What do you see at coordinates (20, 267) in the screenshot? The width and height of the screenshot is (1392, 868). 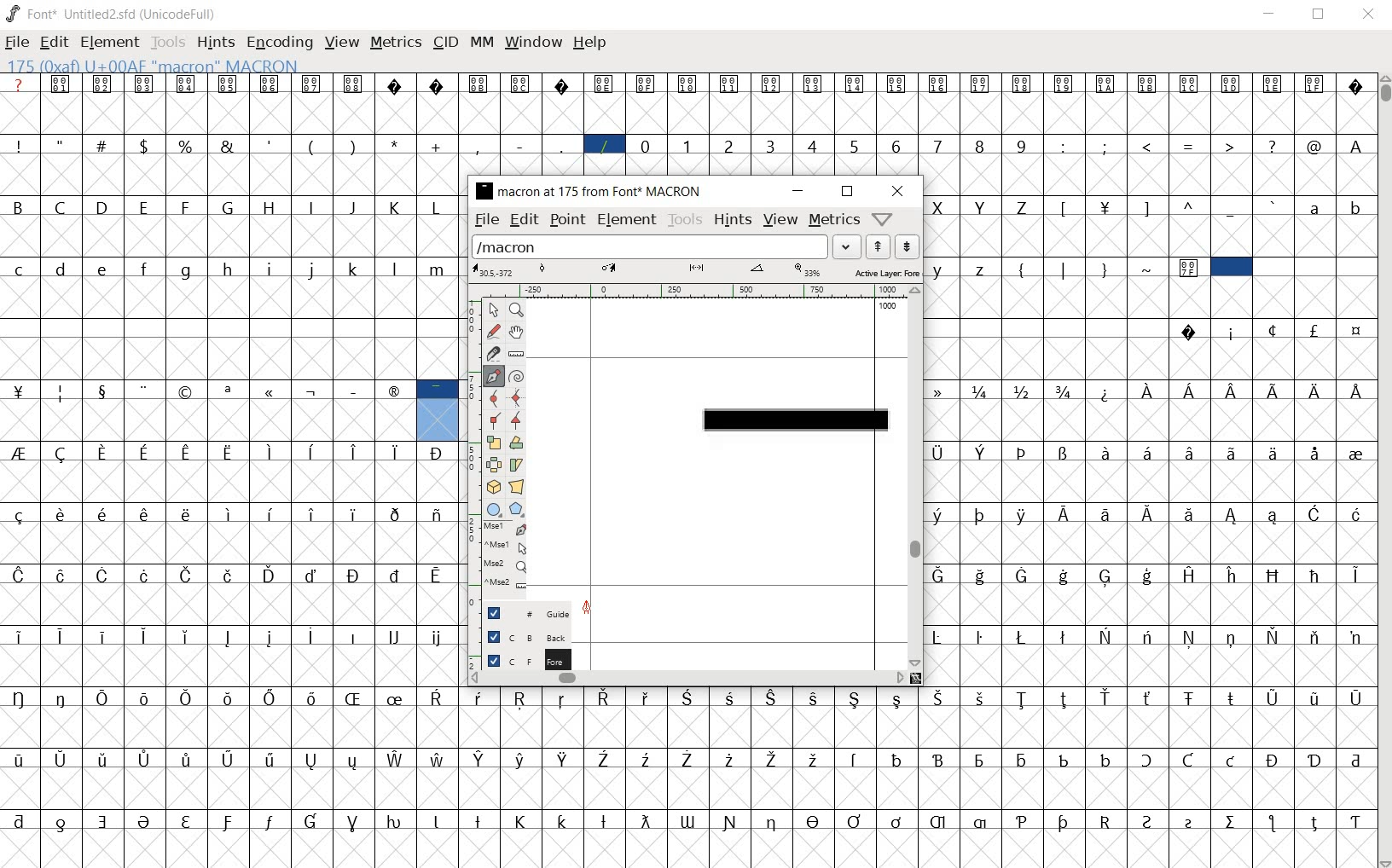 I see `c` at bounding box center [20, 267].